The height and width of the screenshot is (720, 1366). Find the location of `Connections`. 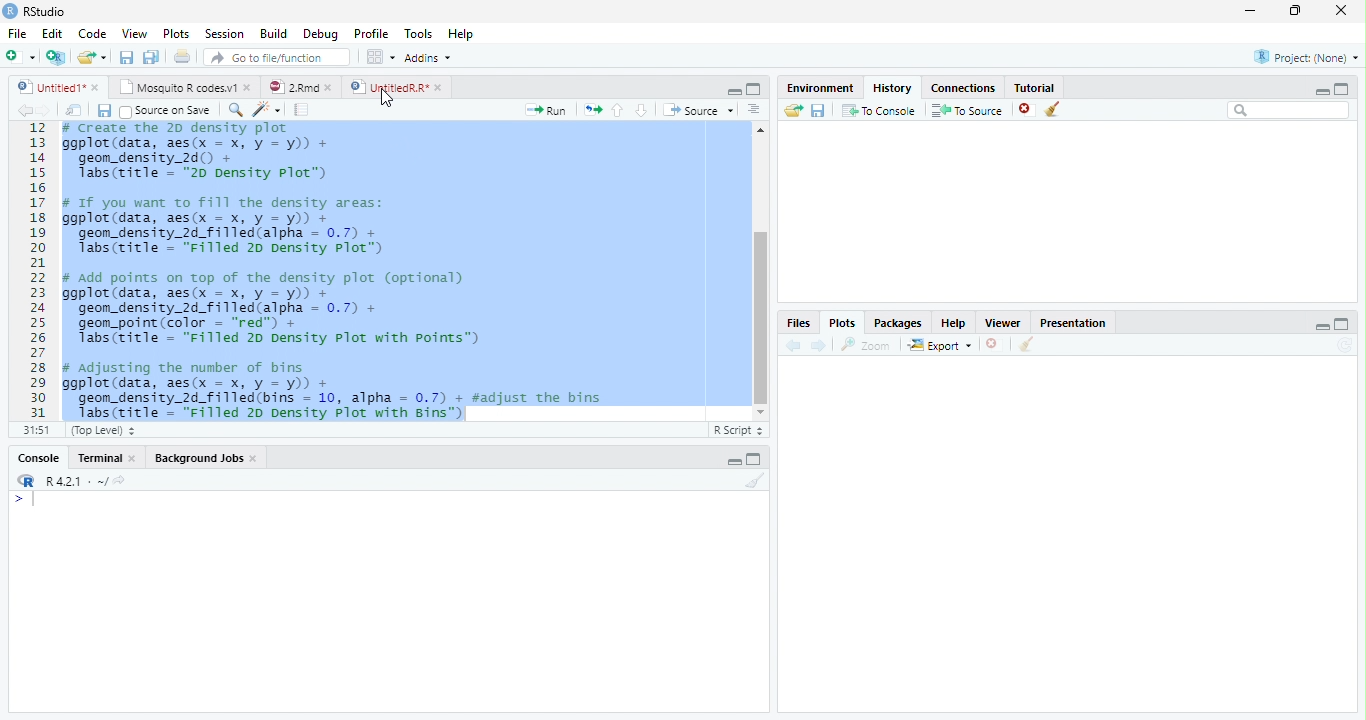

Connections is located at coordinates (964, 89).